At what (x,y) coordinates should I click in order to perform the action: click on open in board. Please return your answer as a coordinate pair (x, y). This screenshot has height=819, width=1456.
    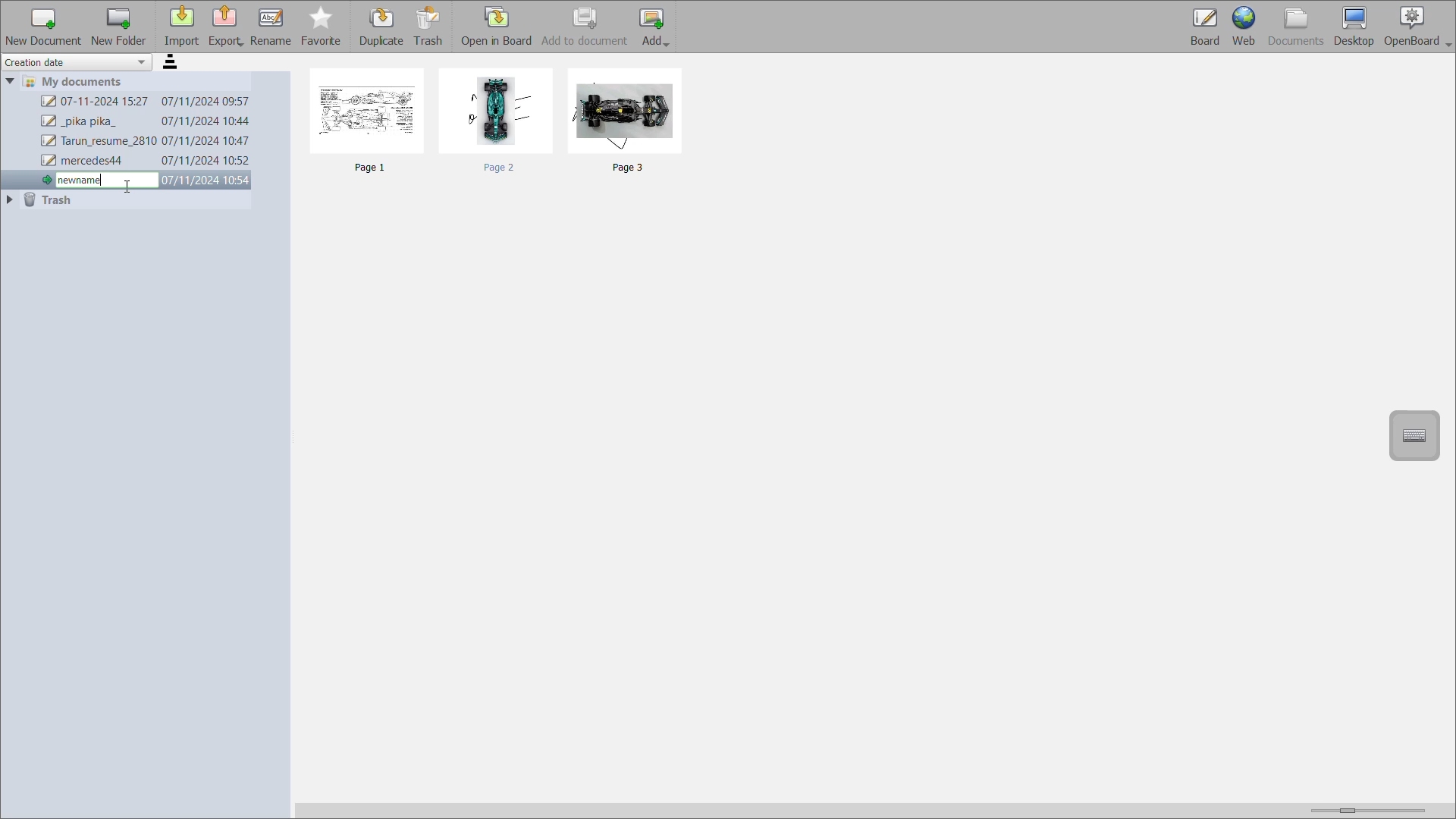
    Looking at the image, I should click on (499, 27).